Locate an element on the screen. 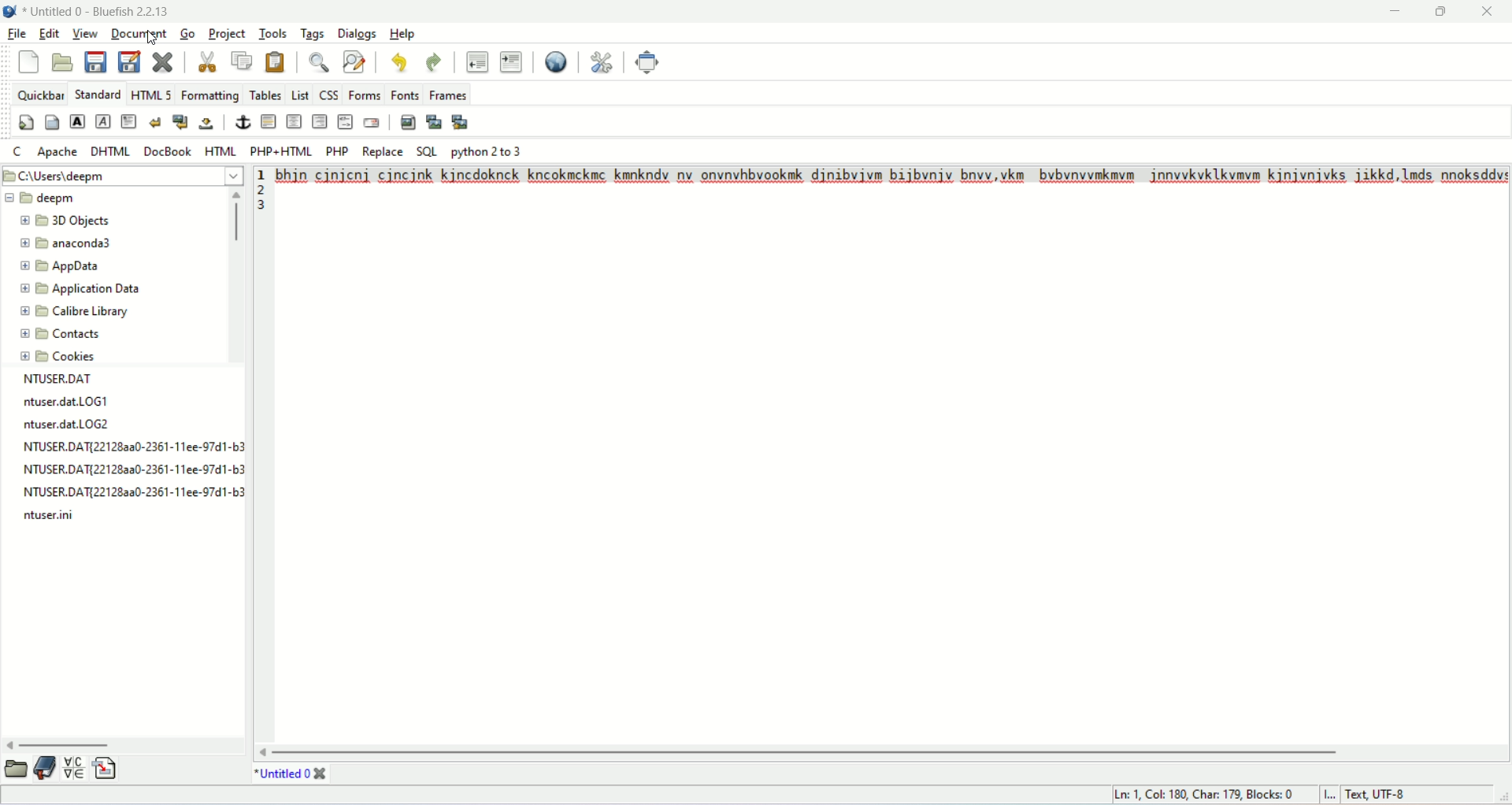 The image size is (1512, 805). horizontal scroll bar is located at coordinates (126, 743).